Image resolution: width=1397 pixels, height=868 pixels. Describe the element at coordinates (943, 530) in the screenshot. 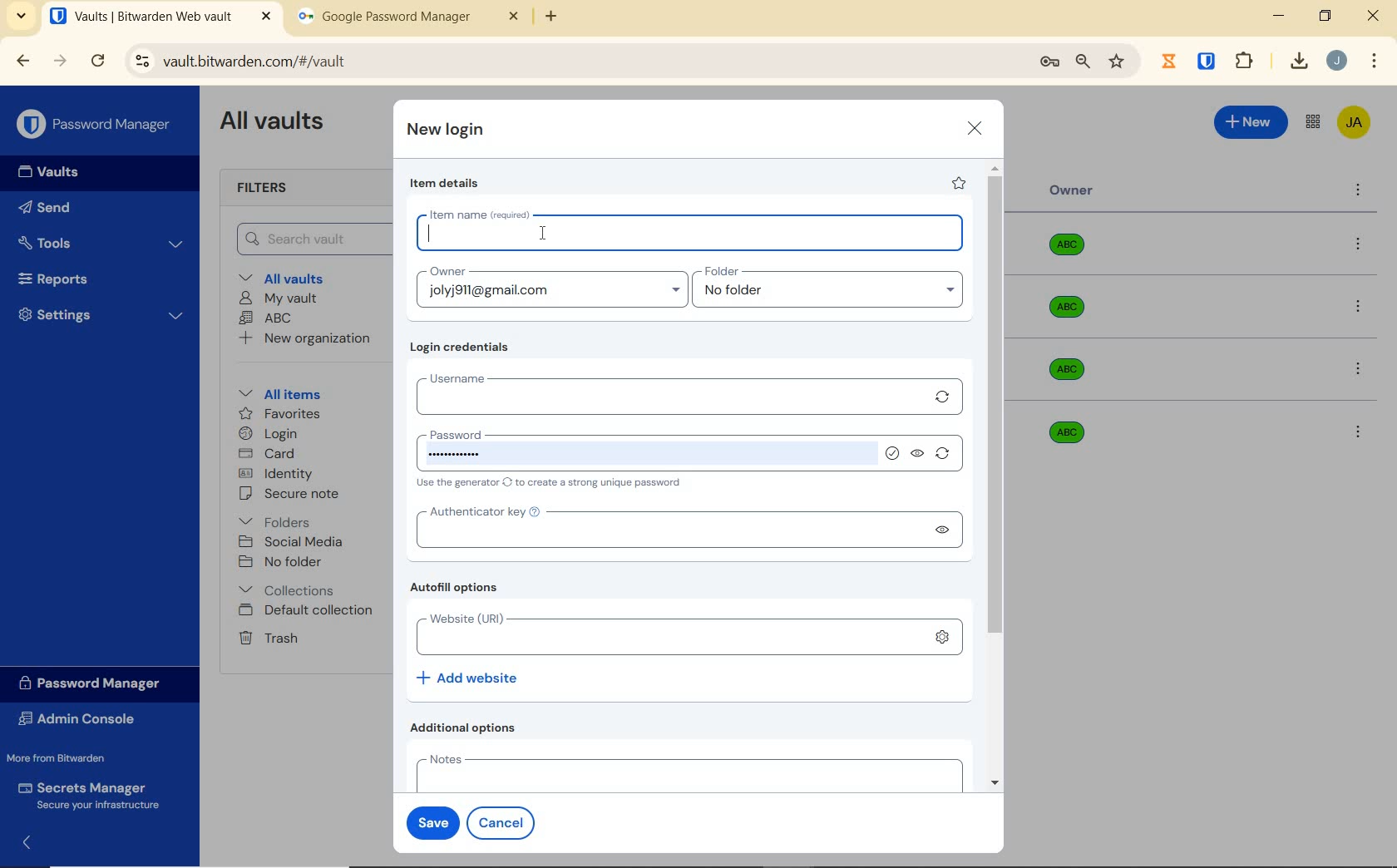

I see `unhide` at that location.